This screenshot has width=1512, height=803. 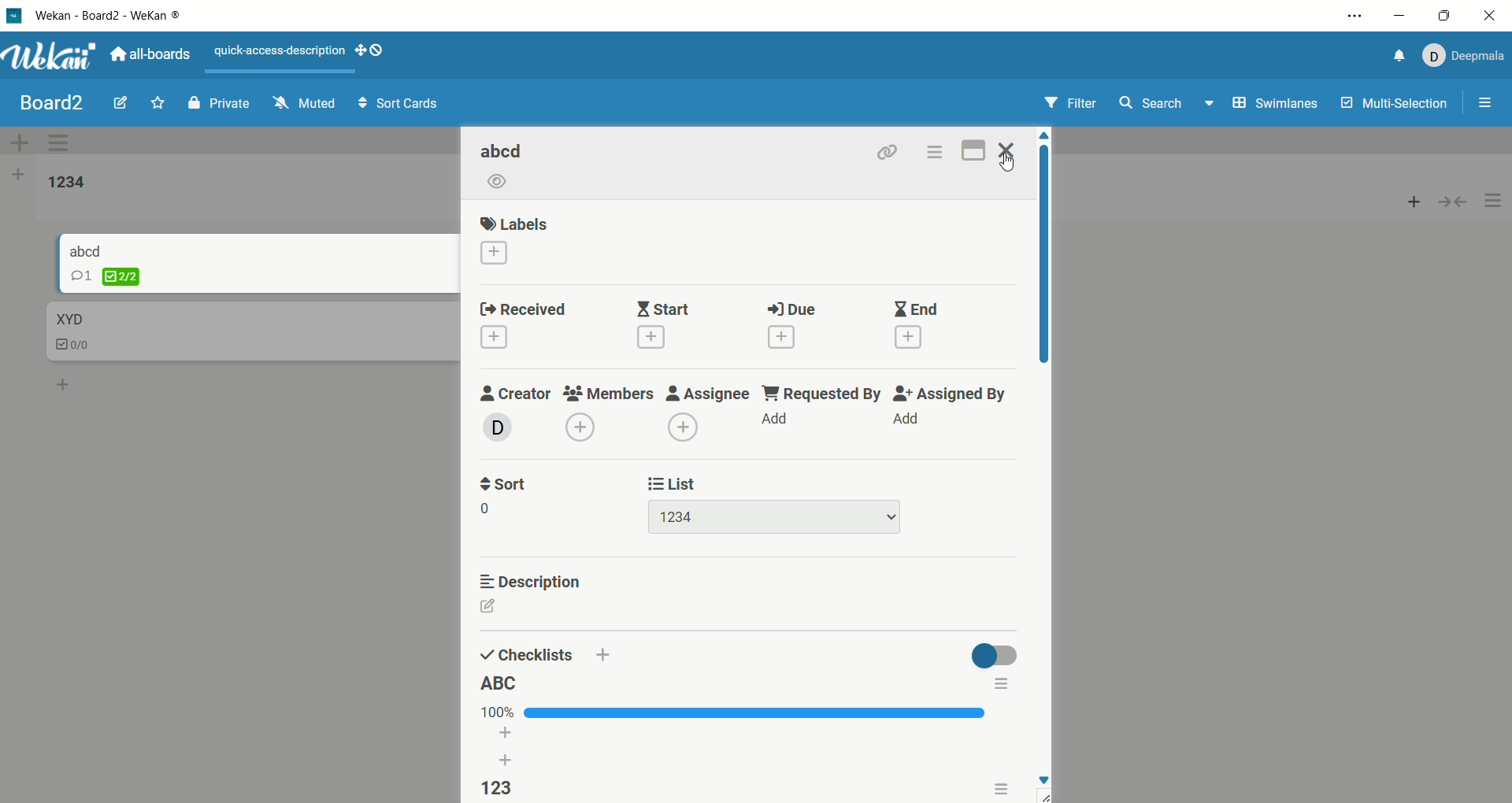 What do you see at coordinates (608, 411) in the screenshot?
I see `members` at bounding box center [608, 411].